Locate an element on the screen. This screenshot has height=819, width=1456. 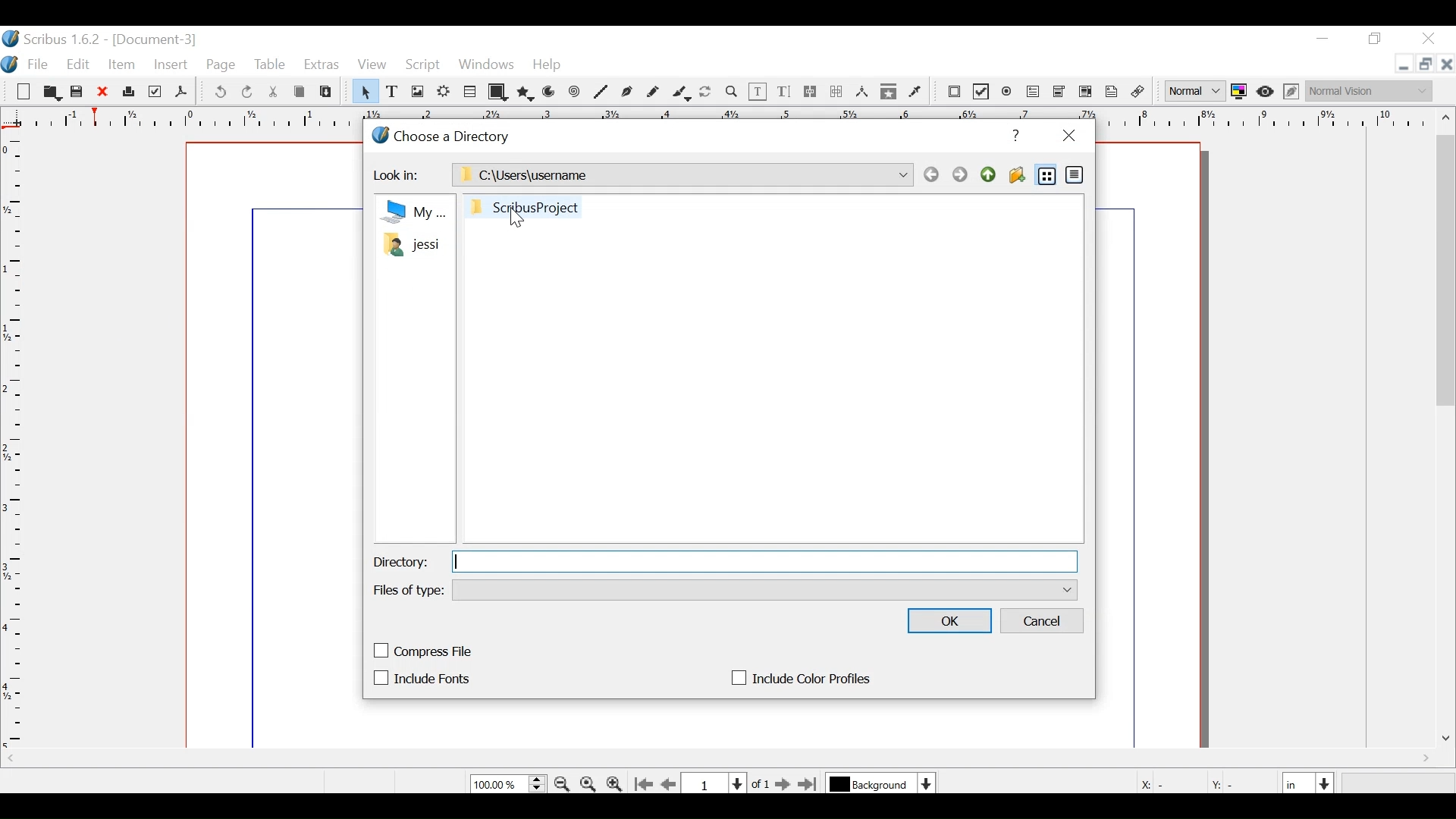
Freehand is located at coordinates (652, 93).